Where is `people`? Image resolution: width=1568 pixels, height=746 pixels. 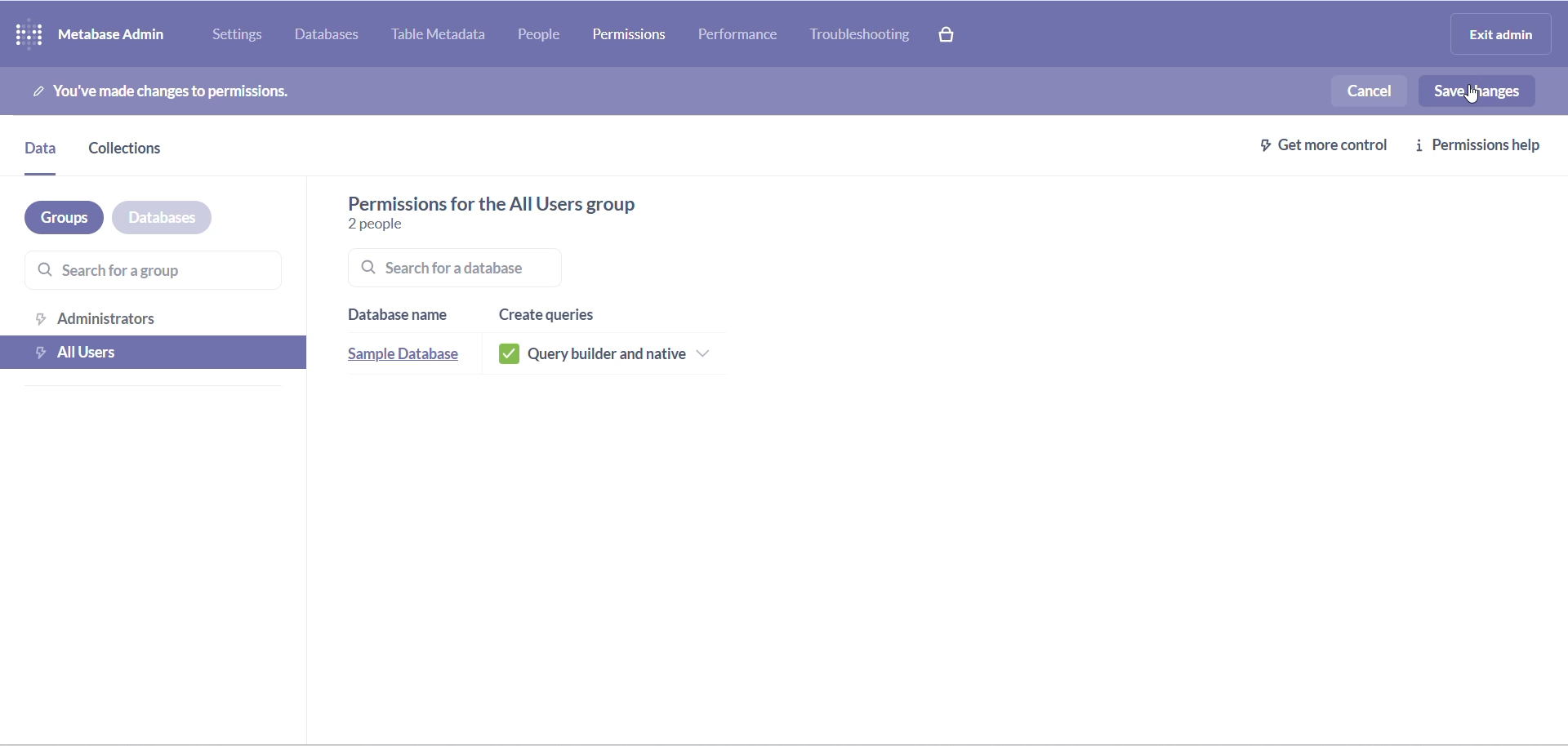
people is located at coordinates (550, 36).